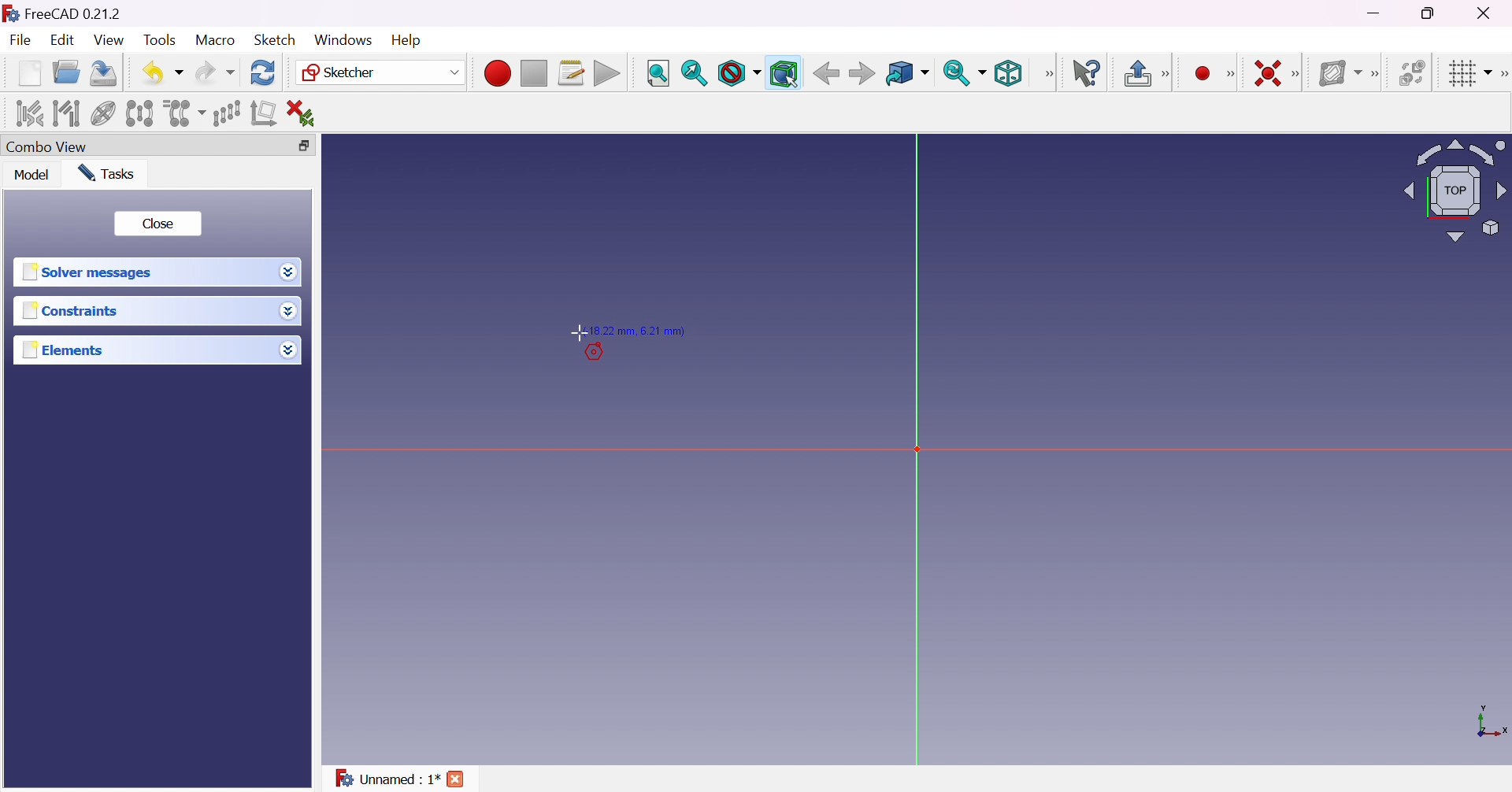  What do you see at coordinates (823, 73) in the screenshot?
I see `Back` at bounding box center [823, 73].